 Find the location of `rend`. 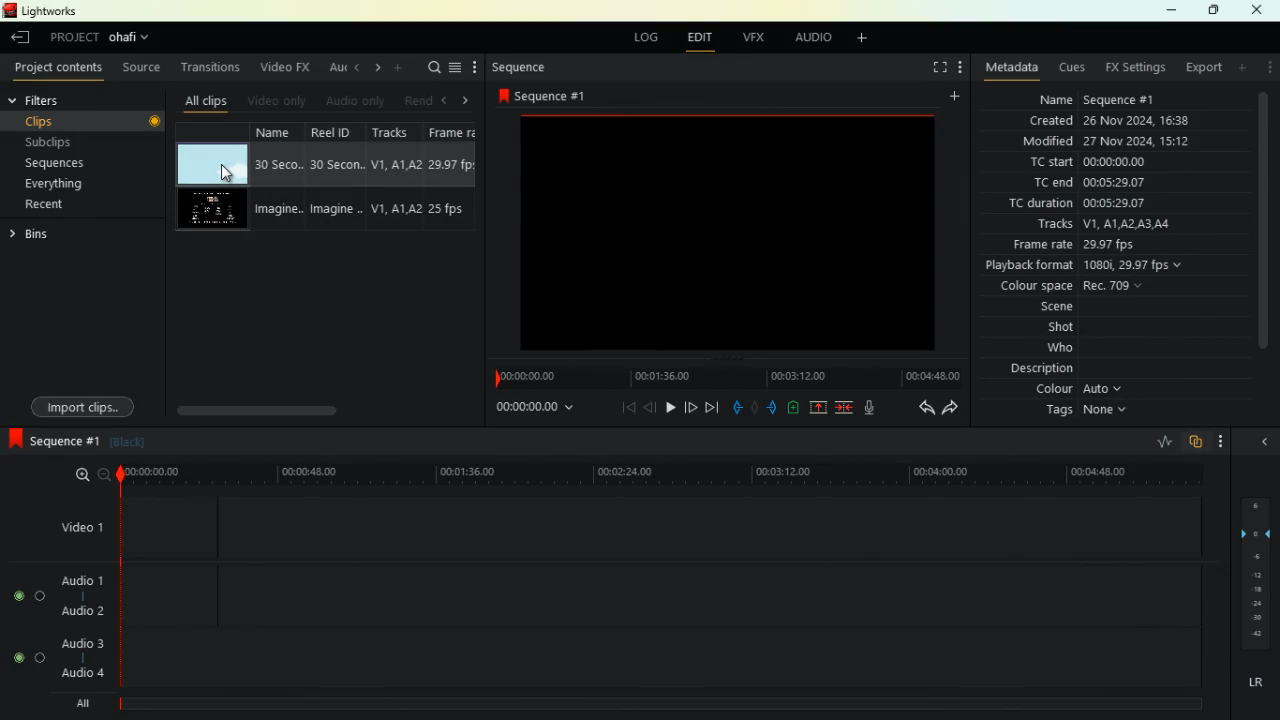

rend is located at coordinates (419, 100).